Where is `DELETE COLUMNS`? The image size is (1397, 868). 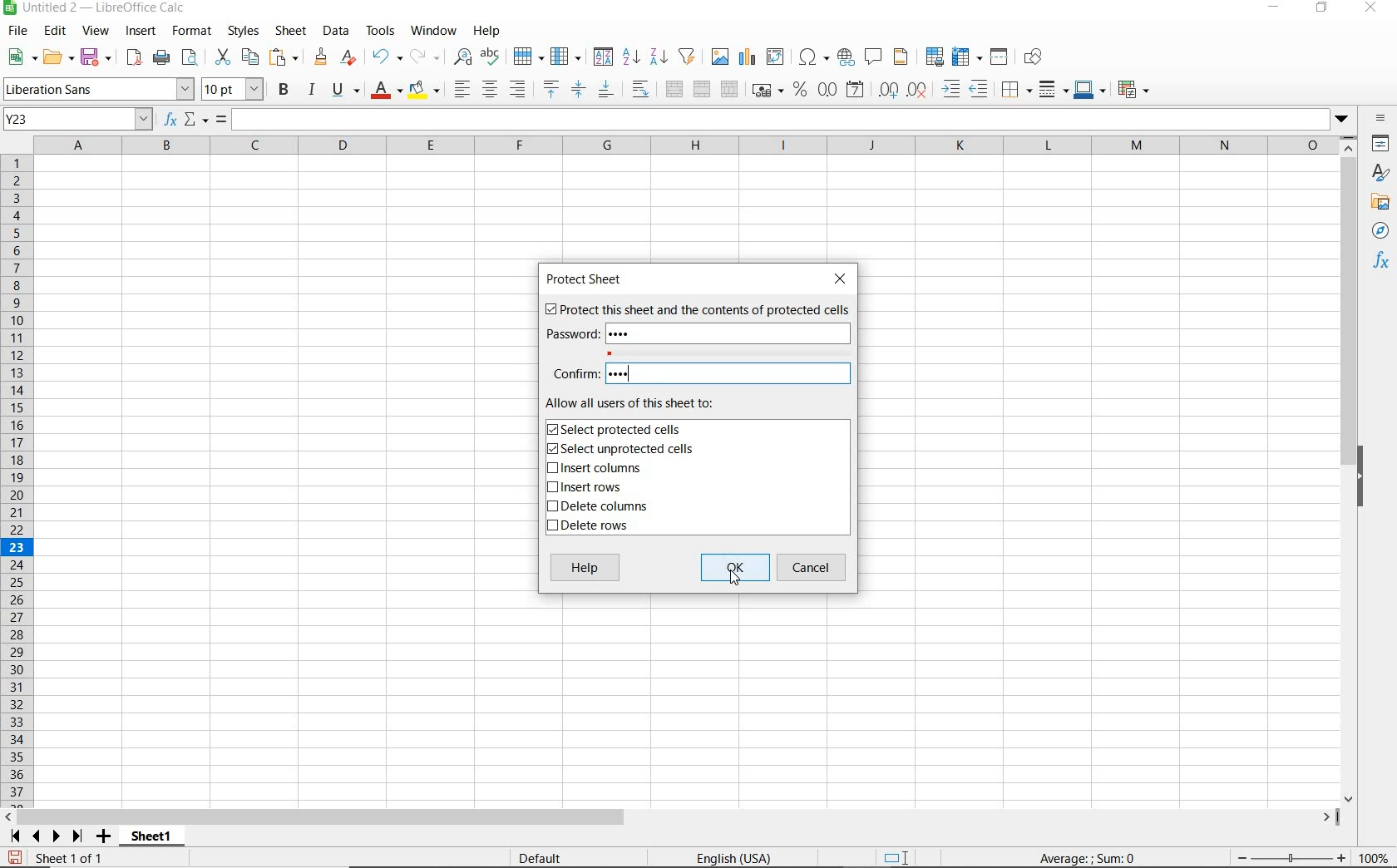
DELETE COLUMNS is located at coordinates (605, 508).